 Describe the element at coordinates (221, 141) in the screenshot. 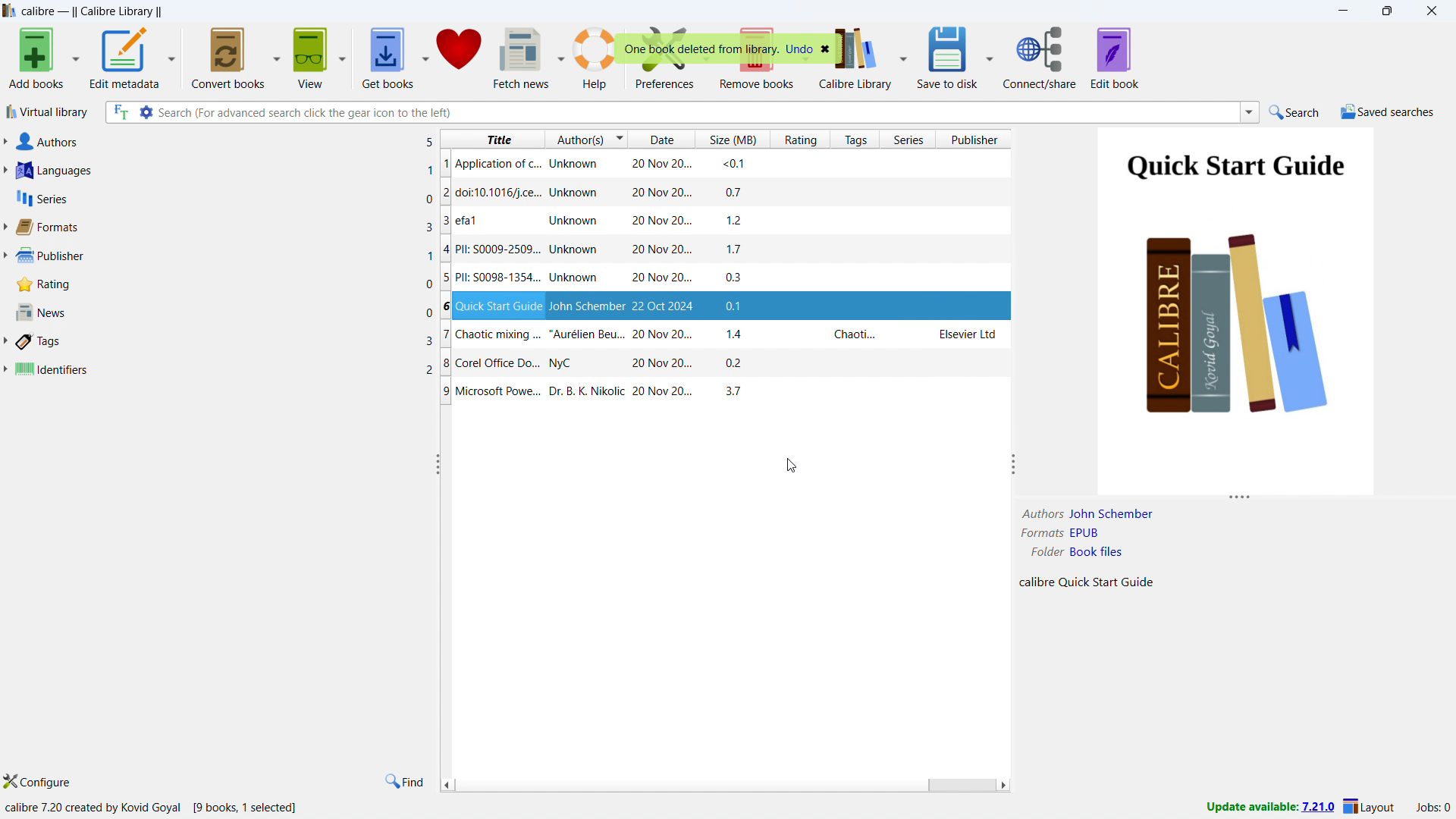

I see `authors` at that location.